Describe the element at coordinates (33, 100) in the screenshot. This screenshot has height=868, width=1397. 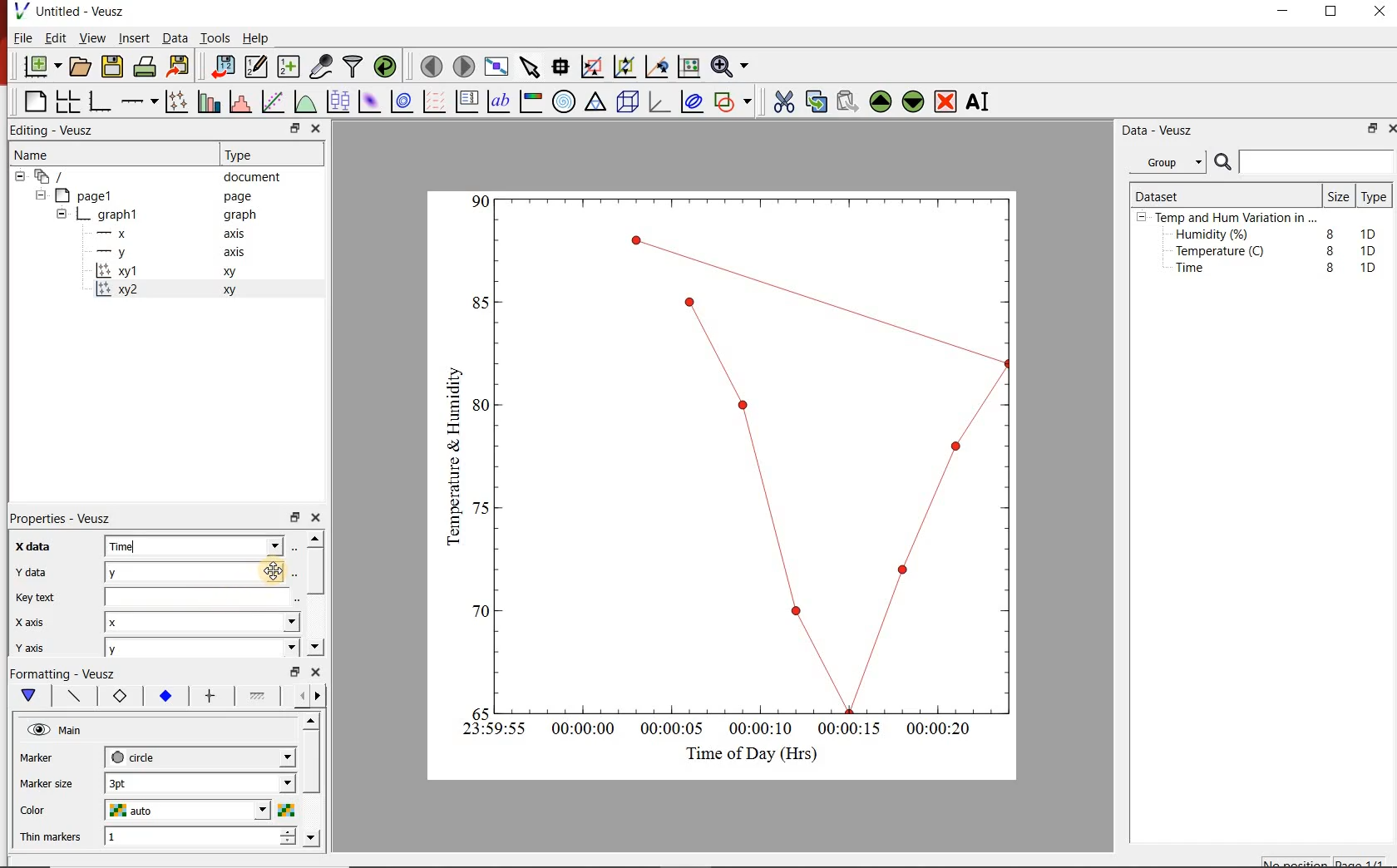
I see `blank page` at that location.